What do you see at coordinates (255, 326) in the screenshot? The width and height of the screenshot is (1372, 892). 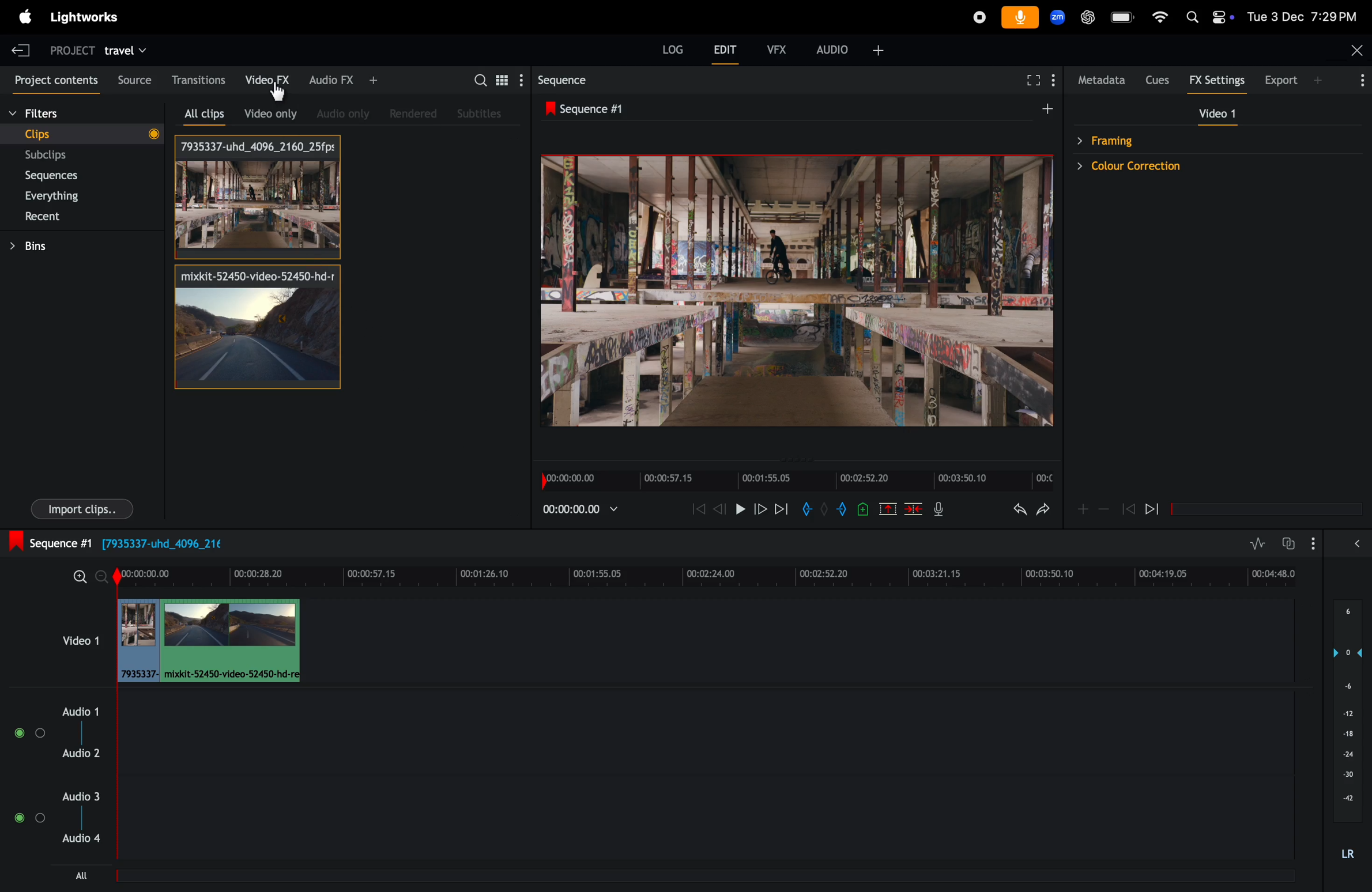 I see `clip` at bounding box center [255, 326].